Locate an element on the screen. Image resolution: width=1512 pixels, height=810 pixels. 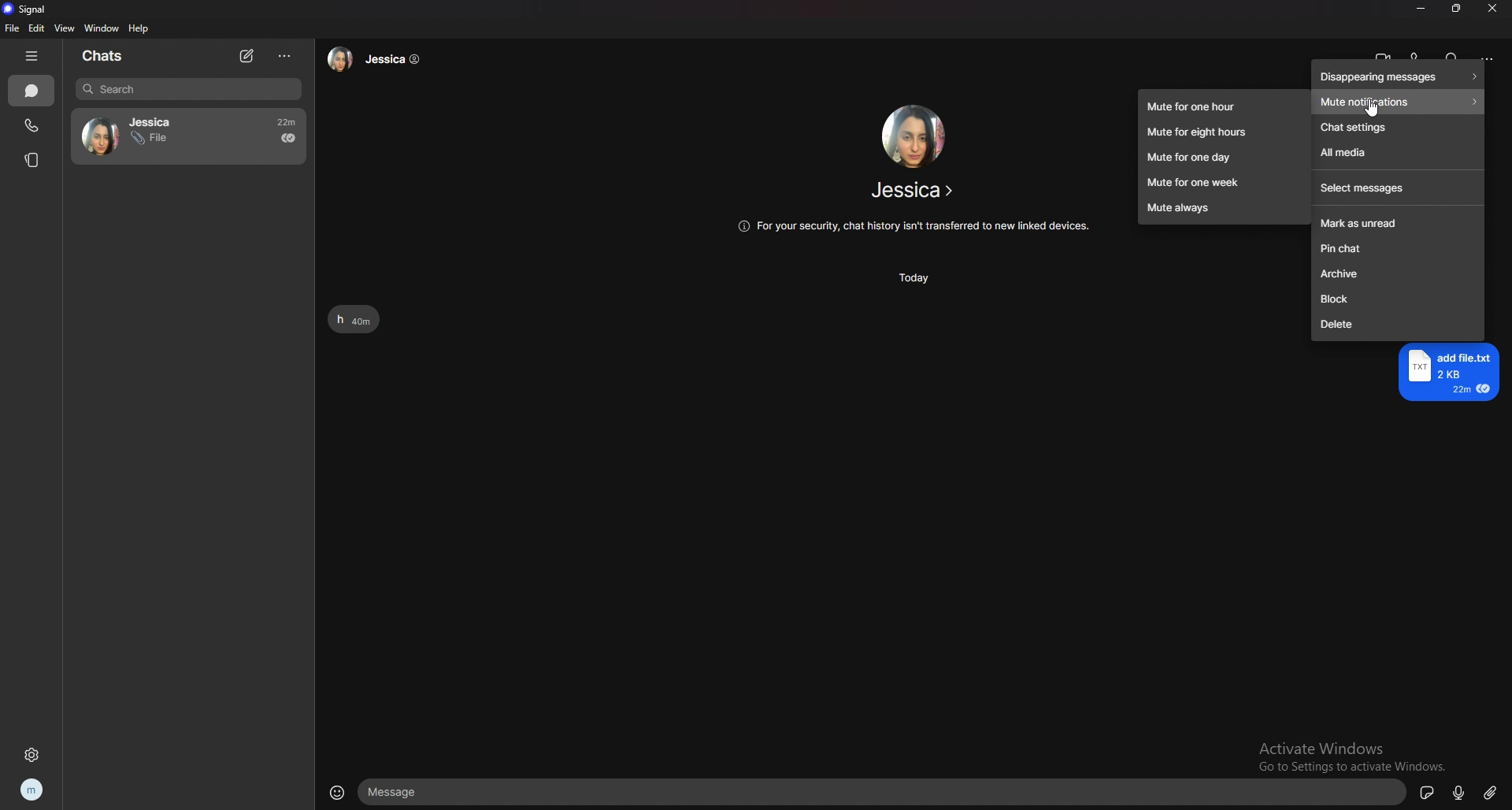
Jessica is located at coordinates (157, 121).